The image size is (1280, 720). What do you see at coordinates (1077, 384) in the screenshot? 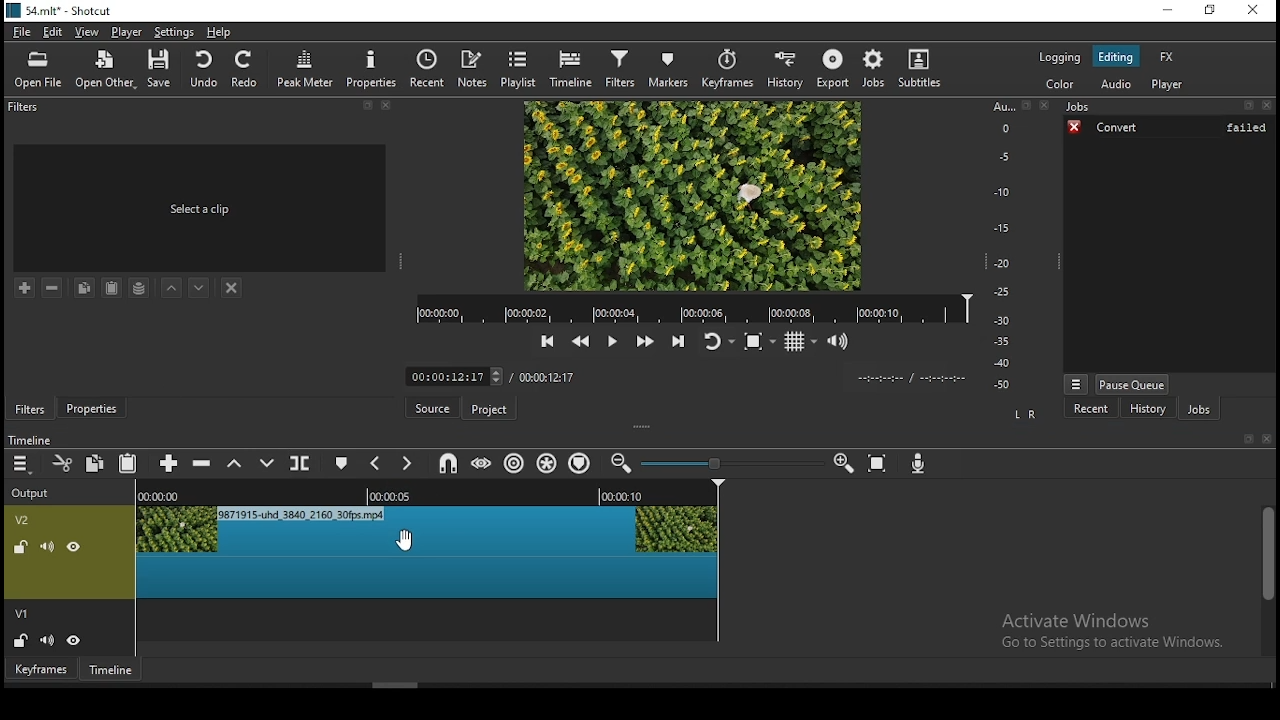
I see `jobs menu` at bounding box center [1077, 384].